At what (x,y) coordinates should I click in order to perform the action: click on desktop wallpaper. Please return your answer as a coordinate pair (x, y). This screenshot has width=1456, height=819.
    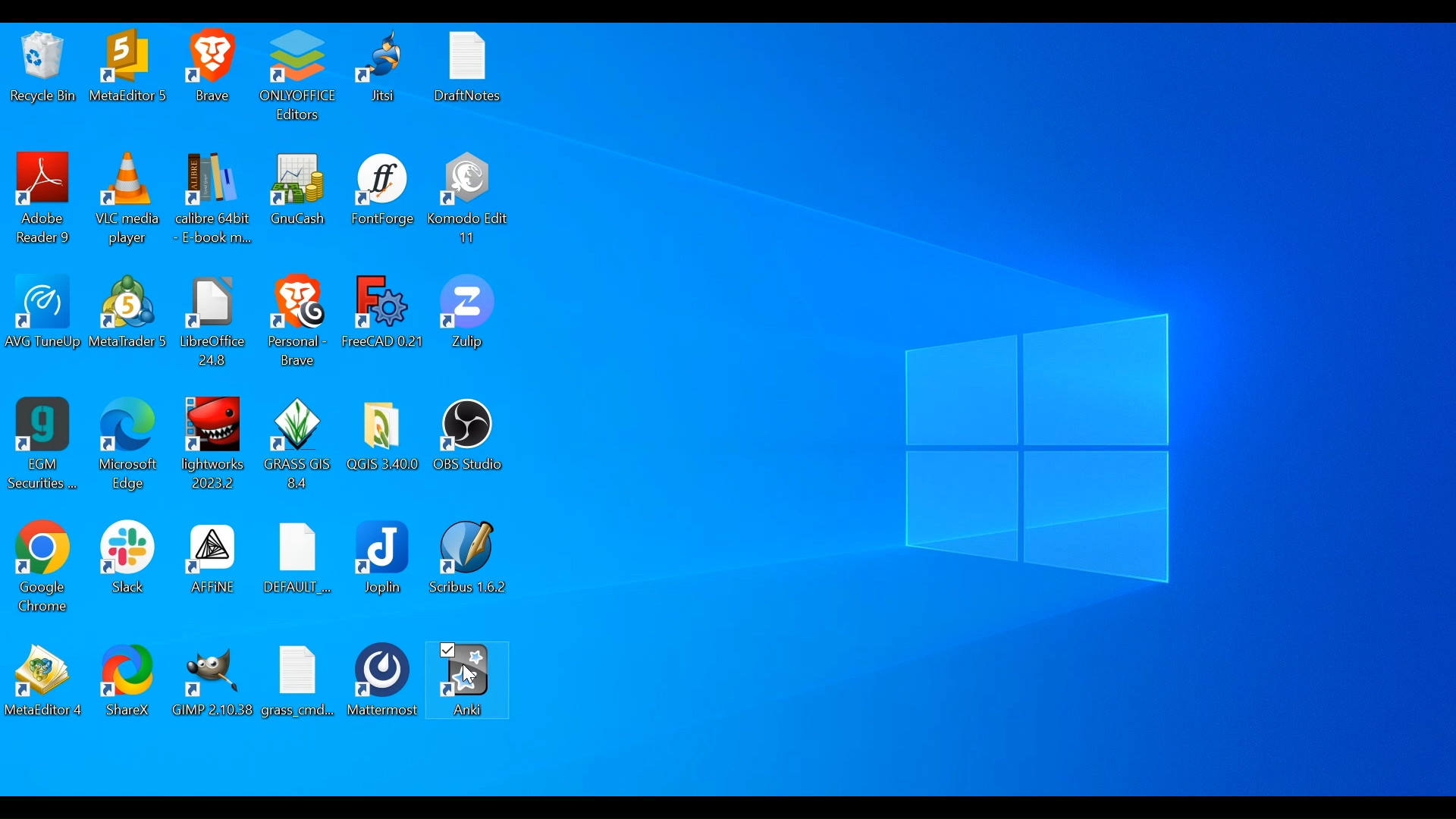
    Looking at the image, I should click on (987, 409).